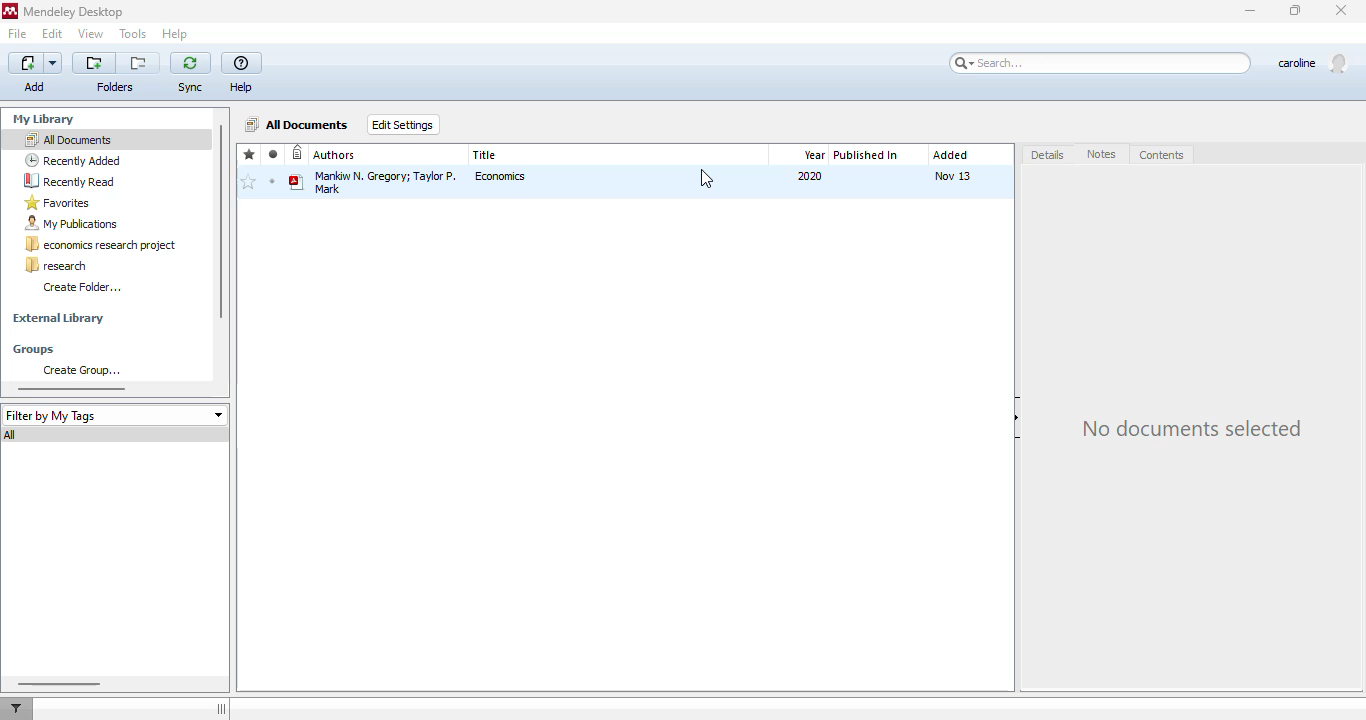 This screenshot has height=720, width=1366. What do you see at coordinates (1101, 63) in the screenshot?
I see `search` at bounding box center [1101, 63].